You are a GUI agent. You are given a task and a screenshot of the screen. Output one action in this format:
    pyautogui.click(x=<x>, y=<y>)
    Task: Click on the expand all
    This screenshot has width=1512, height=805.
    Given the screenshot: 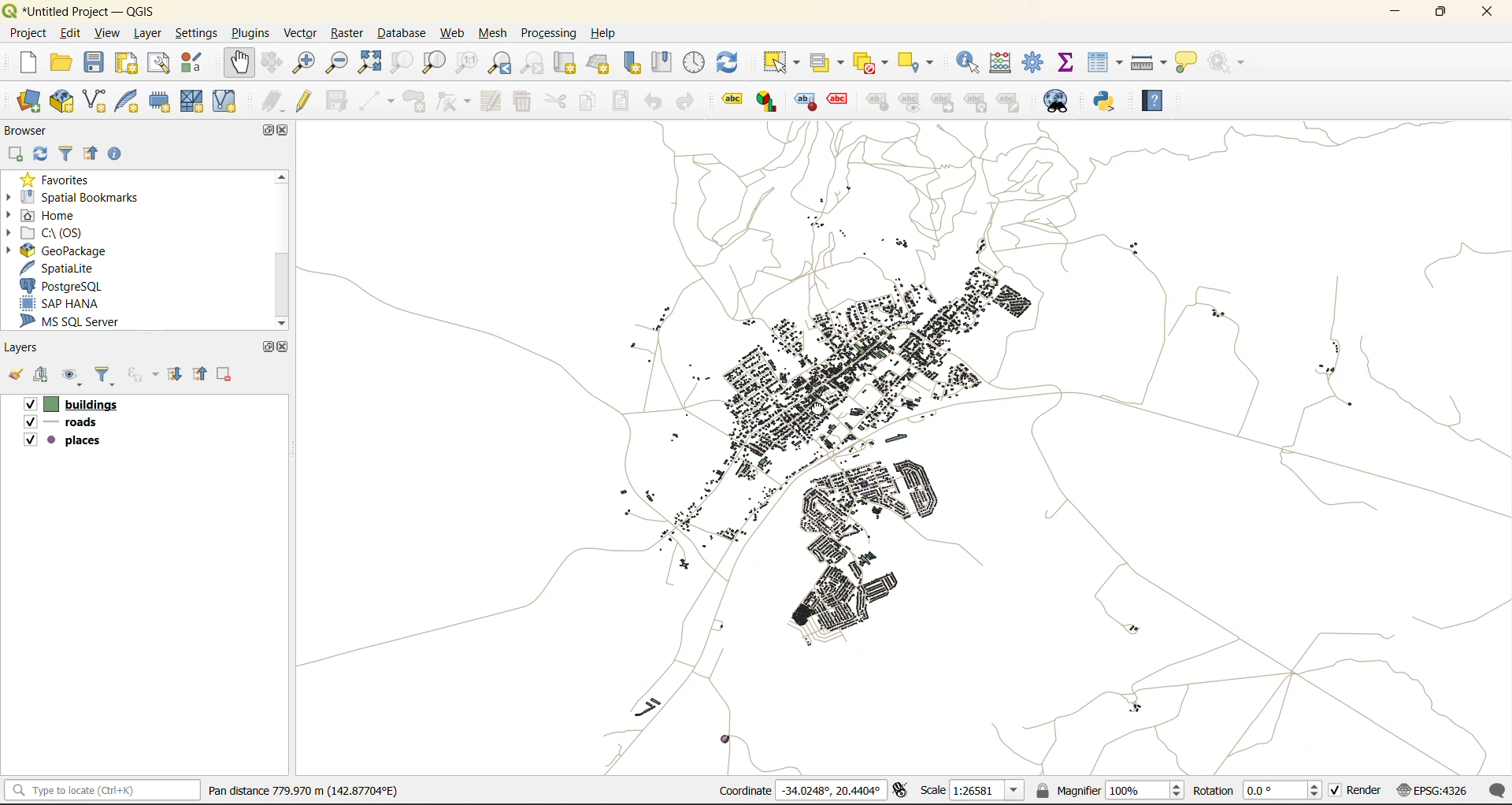 What is the action you would take?
    pyautogui.click(x=177, y=375)
    